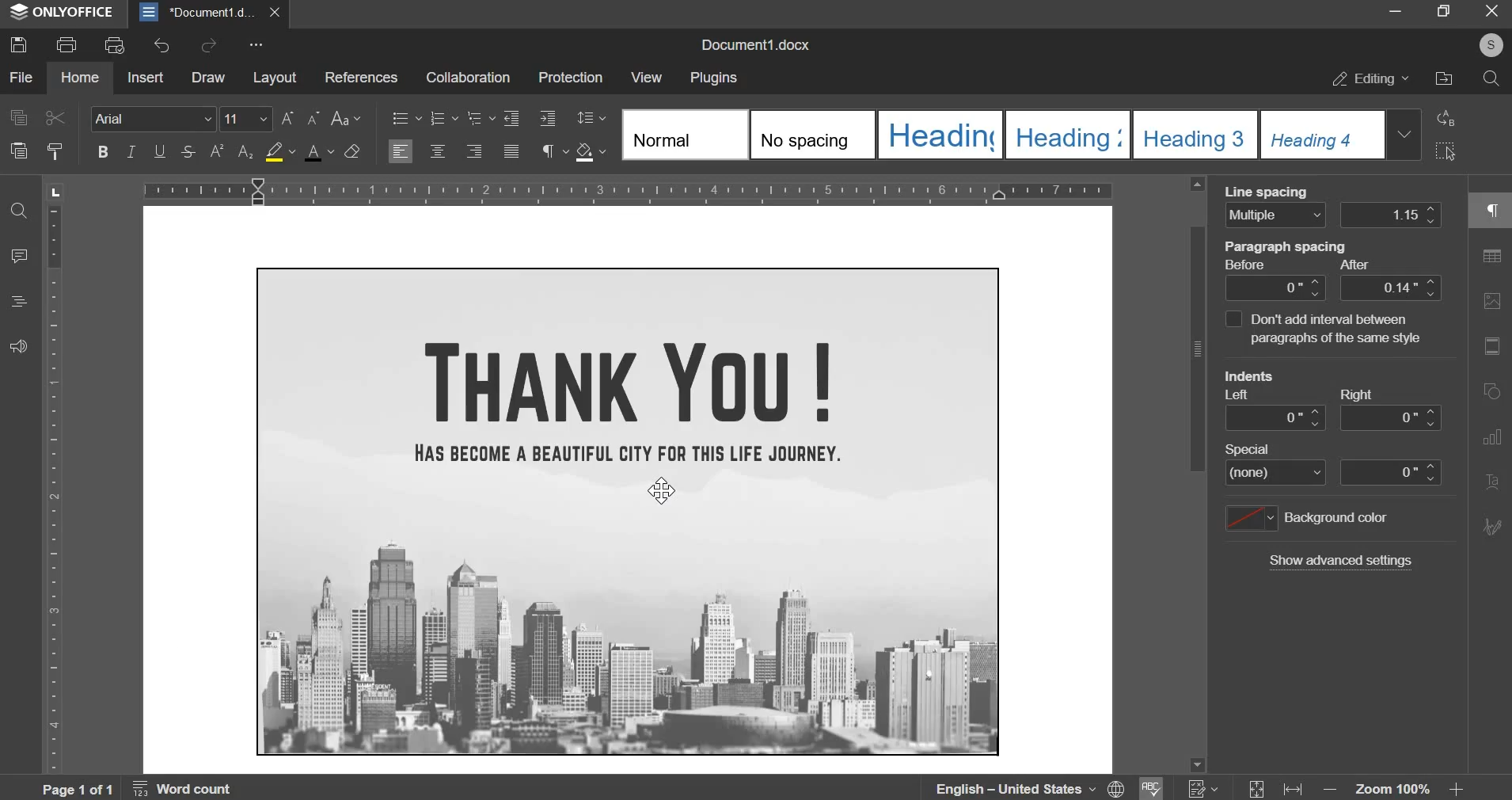  I want to click on paragraph spacing, so click(1334, 289).